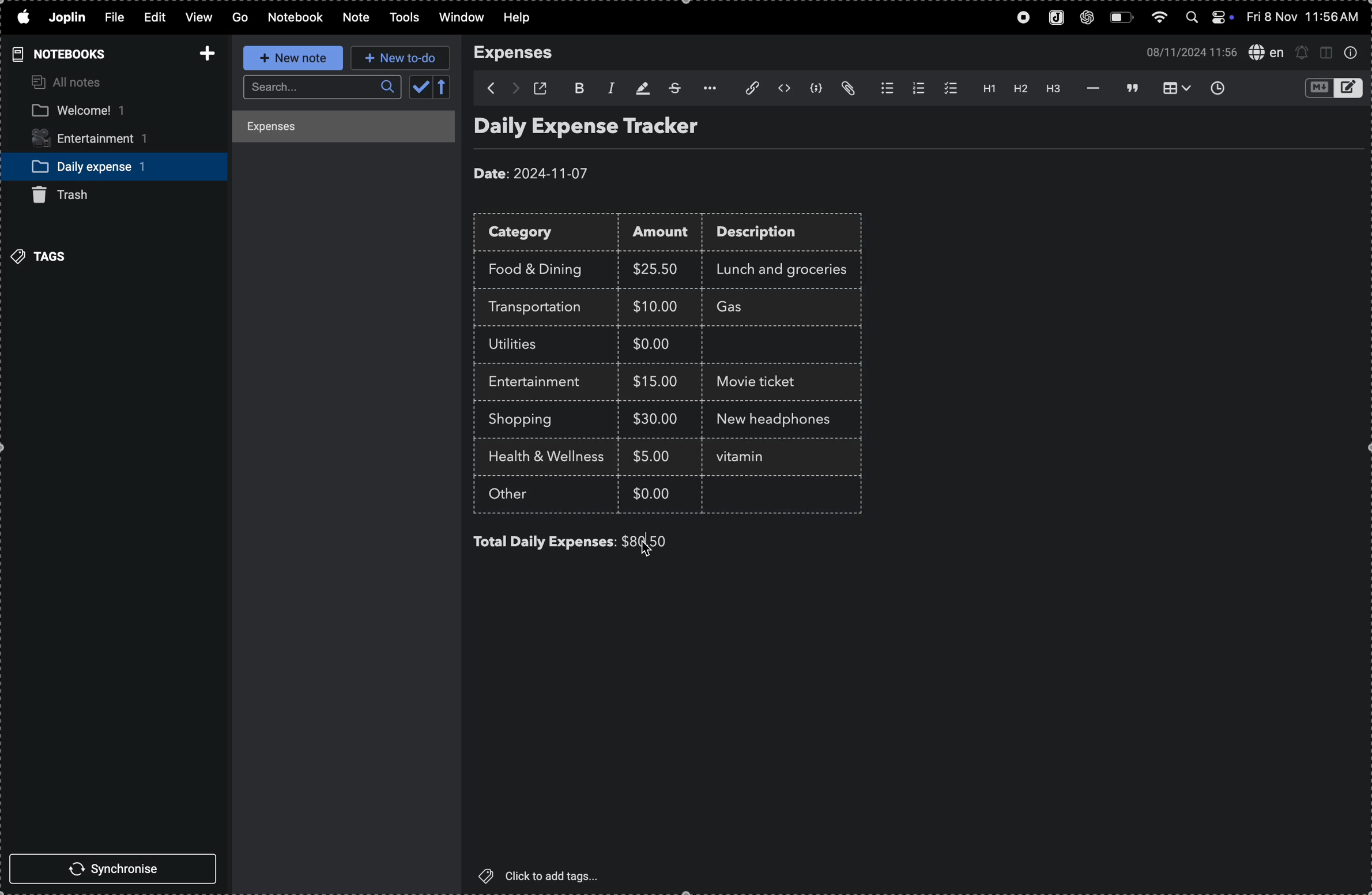 This screenshot has width=1372, height=895. I want to click on table view, so click(1171, 88).